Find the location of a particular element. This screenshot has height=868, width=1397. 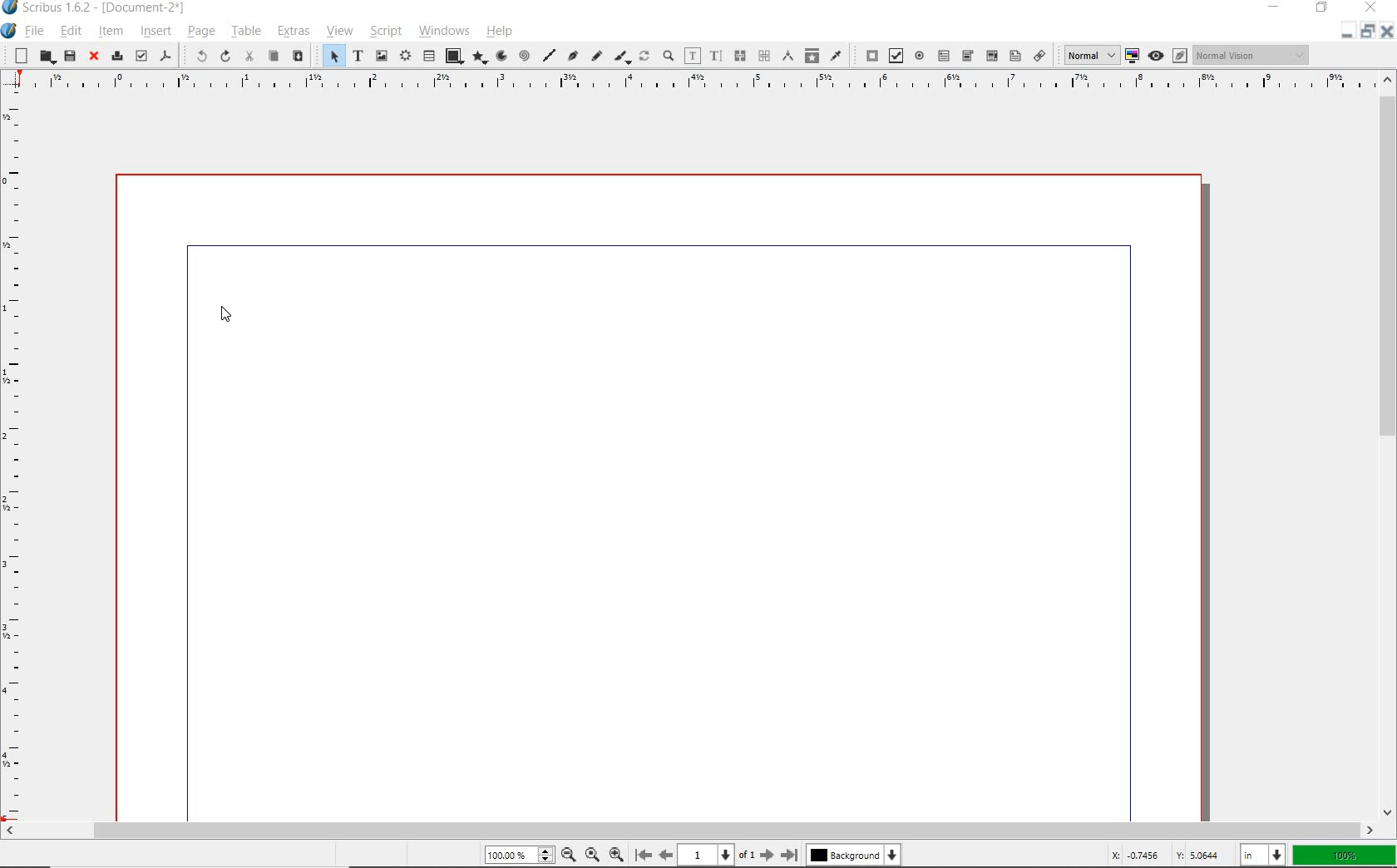

polygon is located at coordinates (481, 58).